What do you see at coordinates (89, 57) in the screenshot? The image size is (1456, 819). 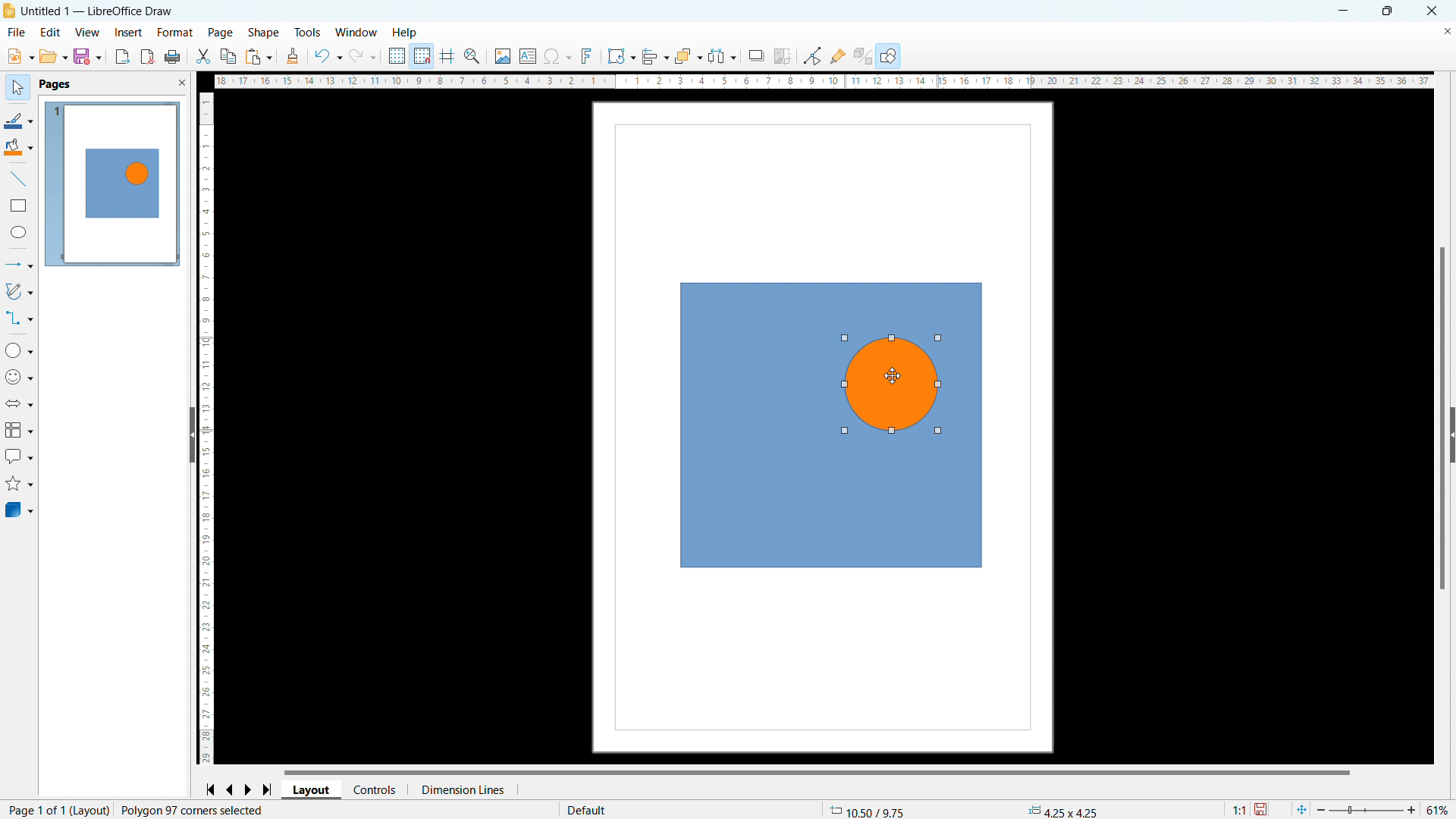 I see `save` at bounding box center [89, 57].